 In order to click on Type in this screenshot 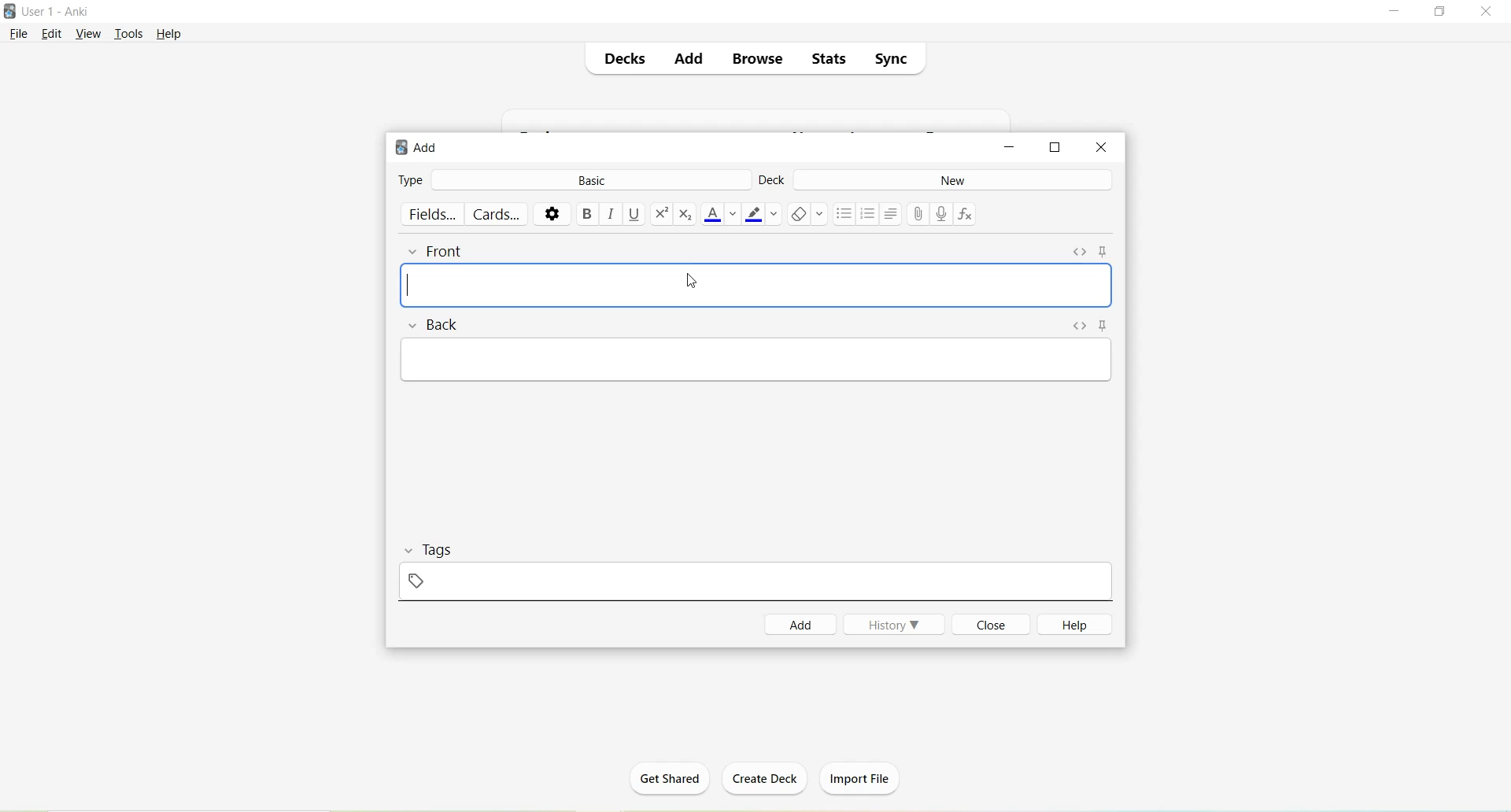, I will do `click(411, 179)`.